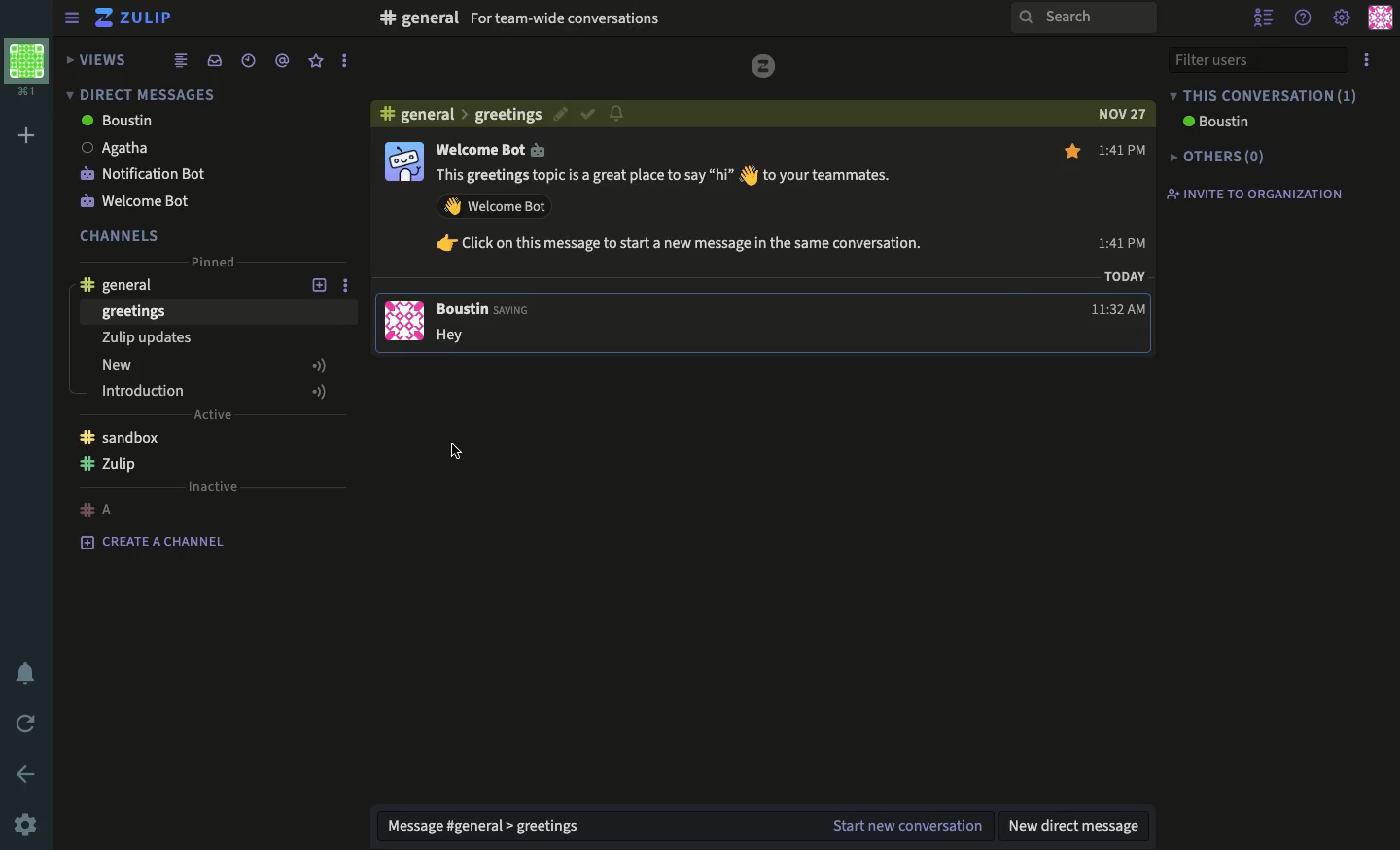 This screenshot has height=850, width=1400. I want to click on inbox, so click(214, 60).